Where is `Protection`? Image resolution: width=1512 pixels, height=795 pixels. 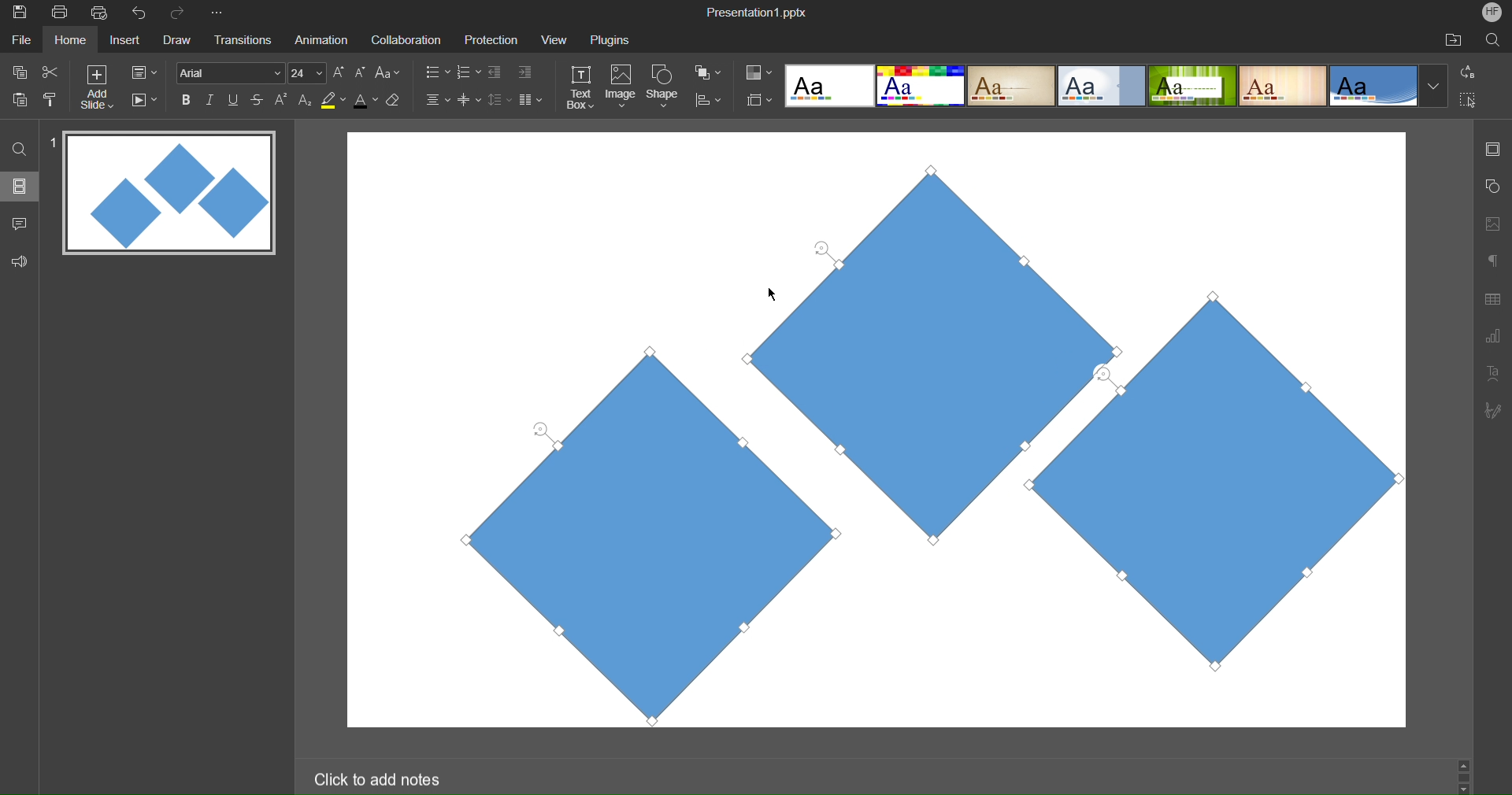
Protection is located at coordinates (484, 39).